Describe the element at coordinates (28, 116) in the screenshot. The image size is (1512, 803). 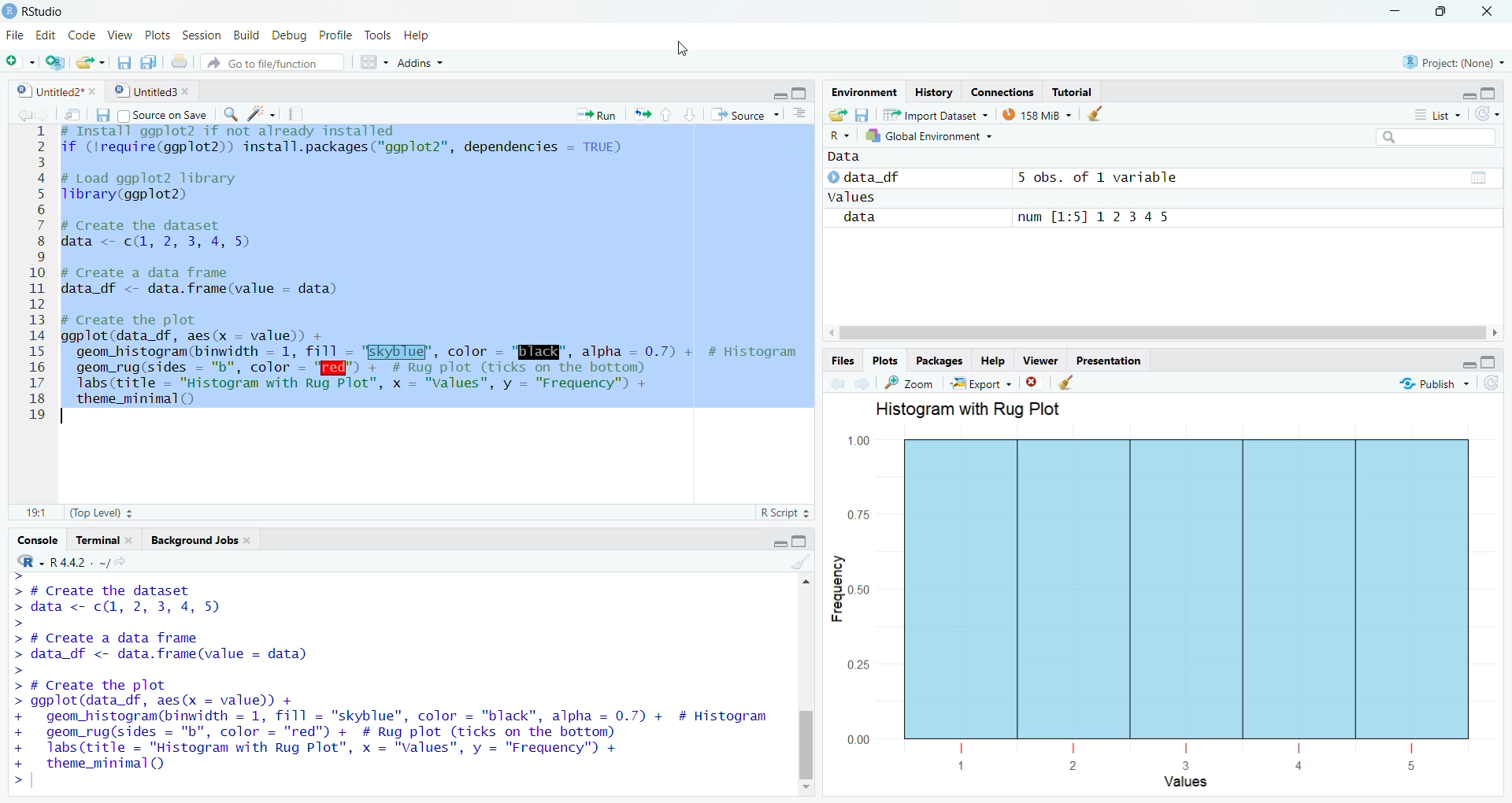
I see `forward/backward` at that location.